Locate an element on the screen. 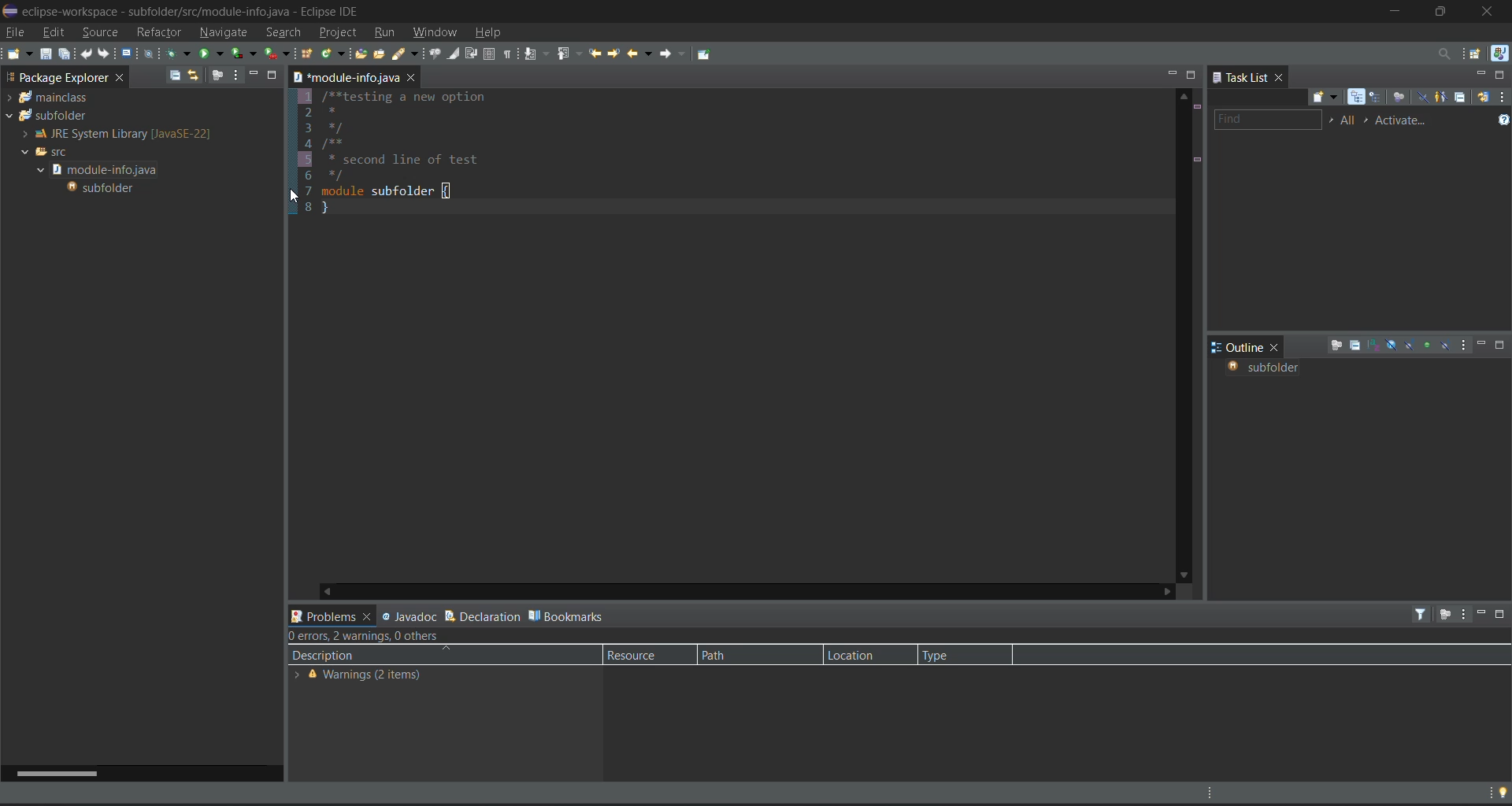 This screenshot has height=806, width=1512. source is located at coordinates (99, 31).